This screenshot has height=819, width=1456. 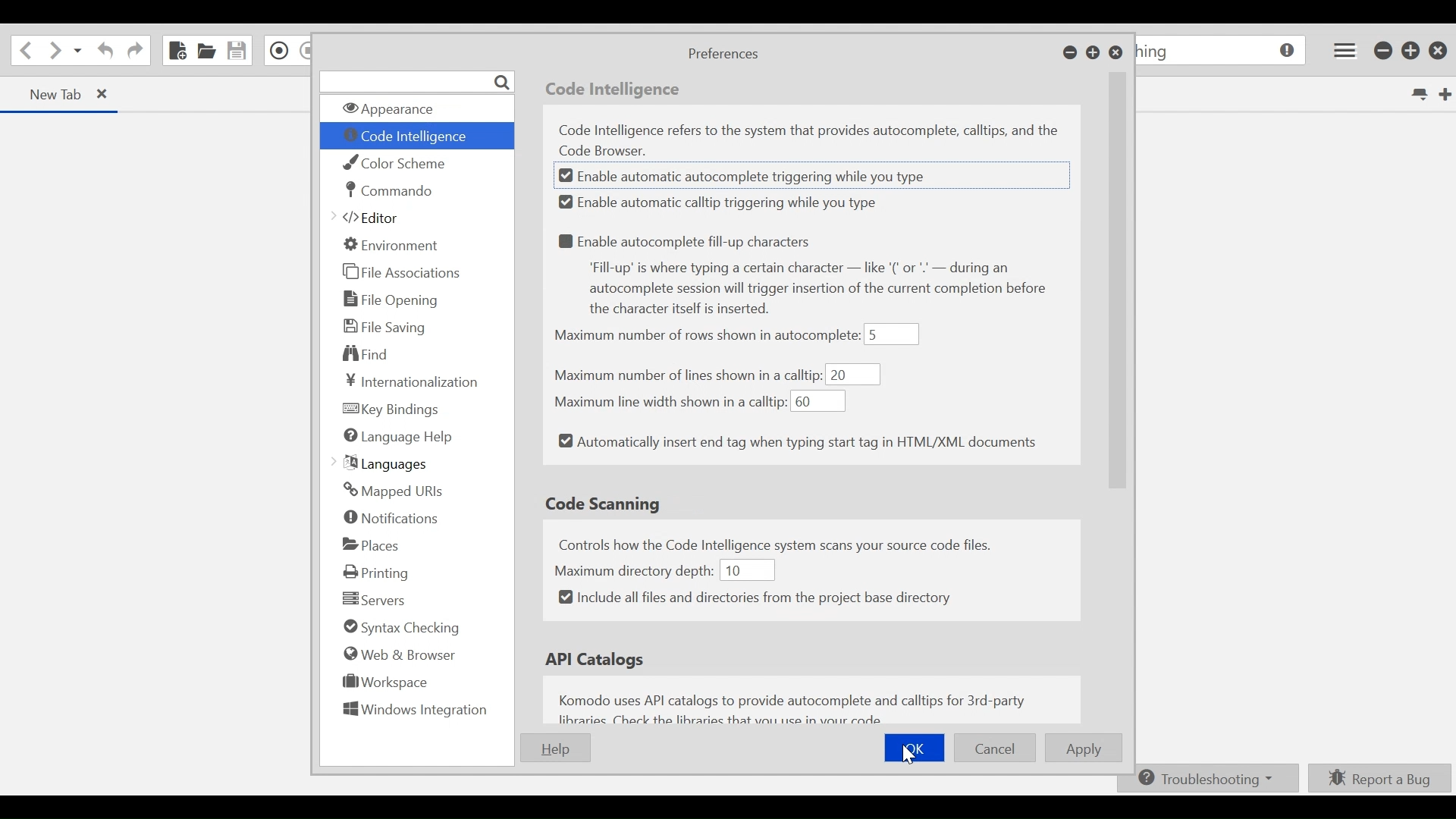 What do you see at coordinates (280, 50) in the screenshot?
I see `Recording in Macro ` at bounding box center [280, 50].